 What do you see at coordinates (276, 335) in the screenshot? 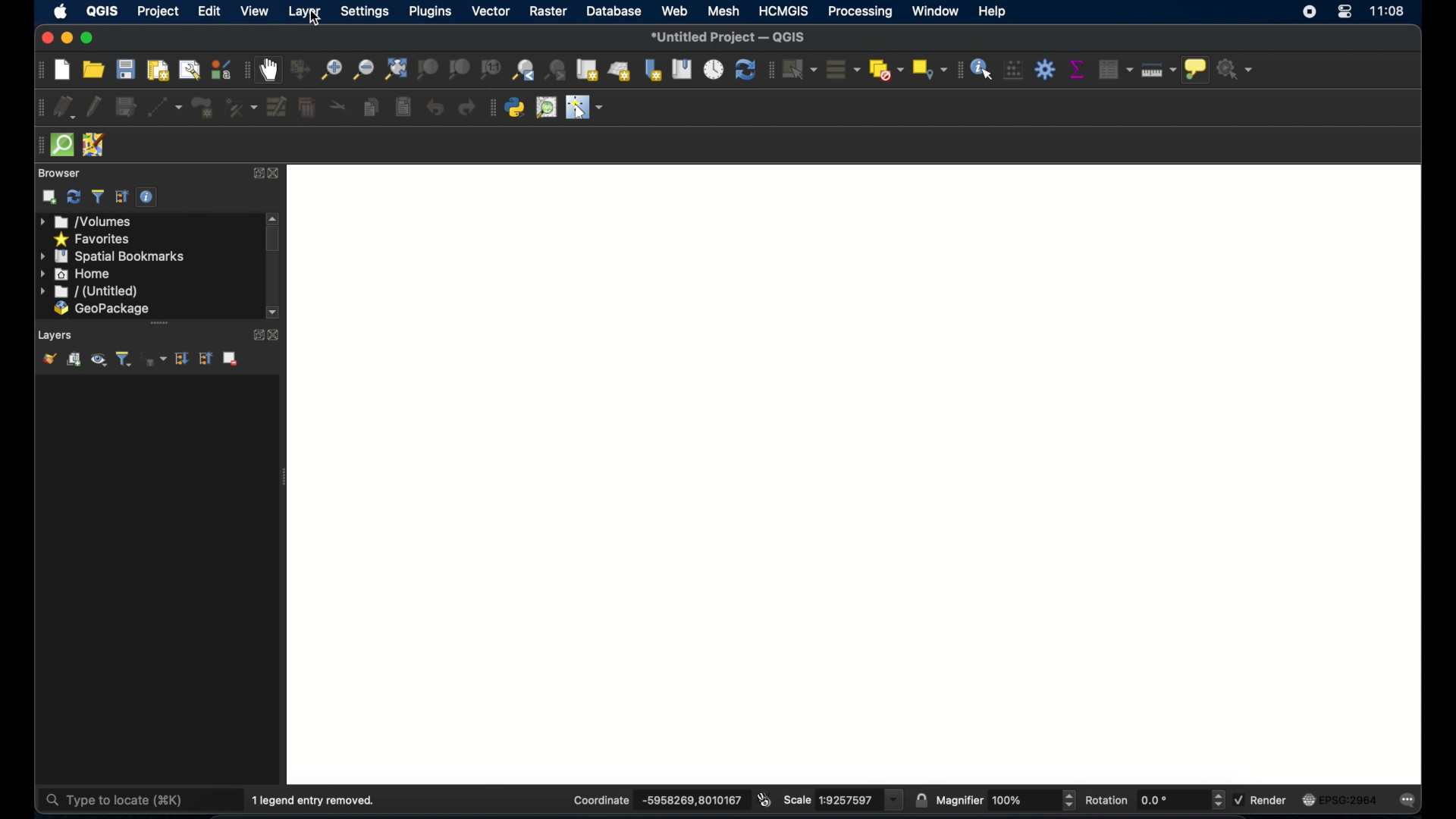
I see `close` at bounding box center [276, 335].